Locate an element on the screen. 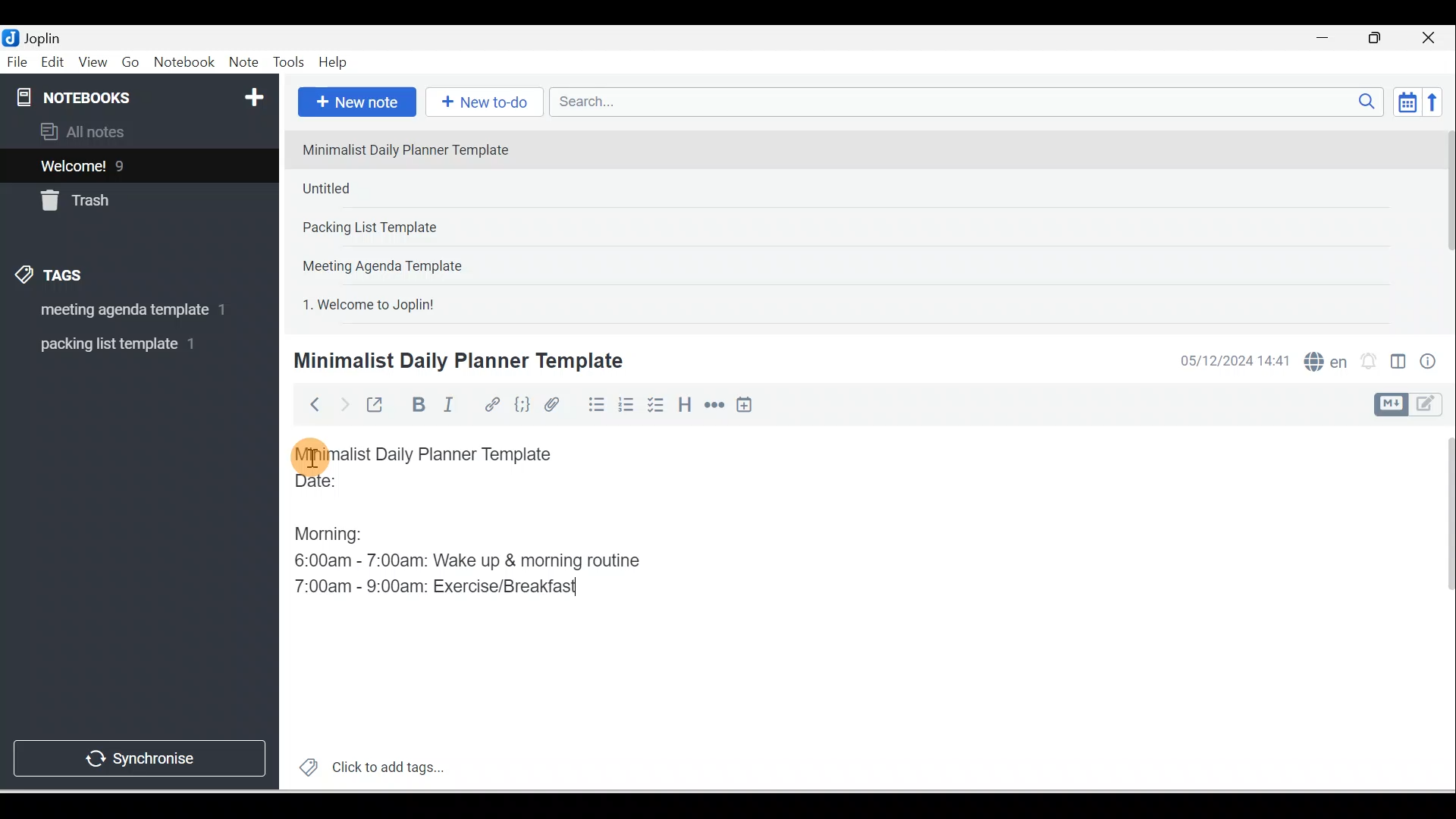 This screenshot has width=1456, height=819. Tag 2 is located at coordinates (128, 344).